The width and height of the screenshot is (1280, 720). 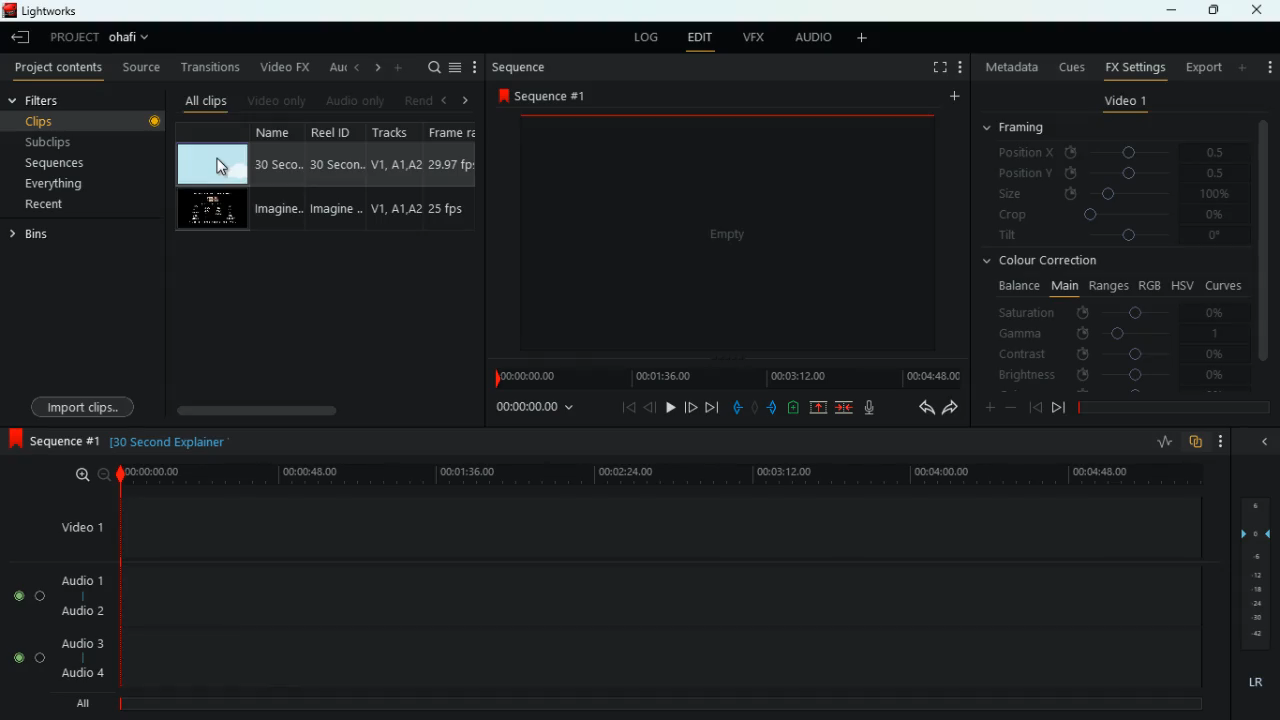 I want to click on audio 4, so click(x=80, y=675).